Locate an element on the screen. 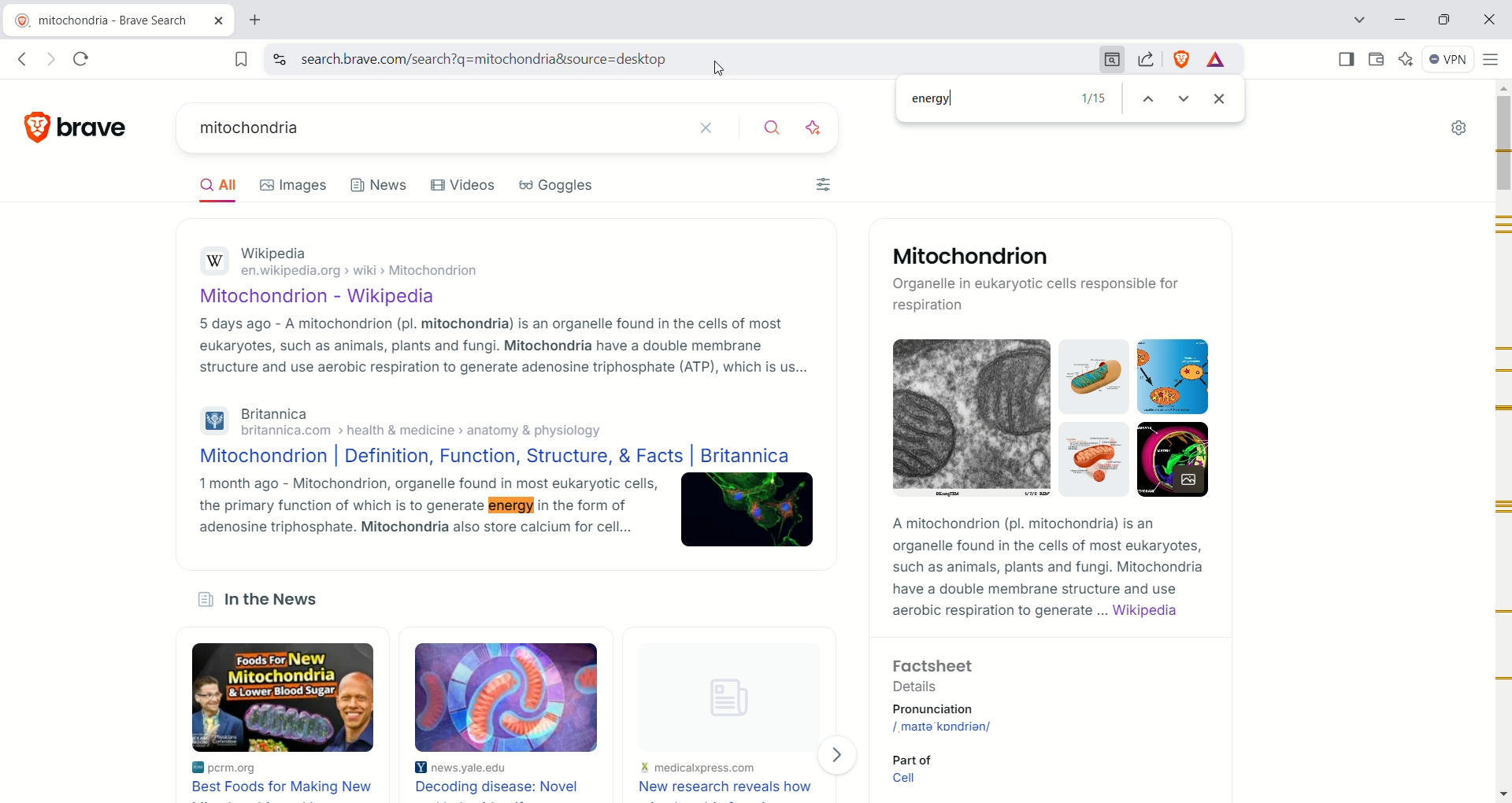 The image size is (1512, 803). close is located at coordinates (219, 22).